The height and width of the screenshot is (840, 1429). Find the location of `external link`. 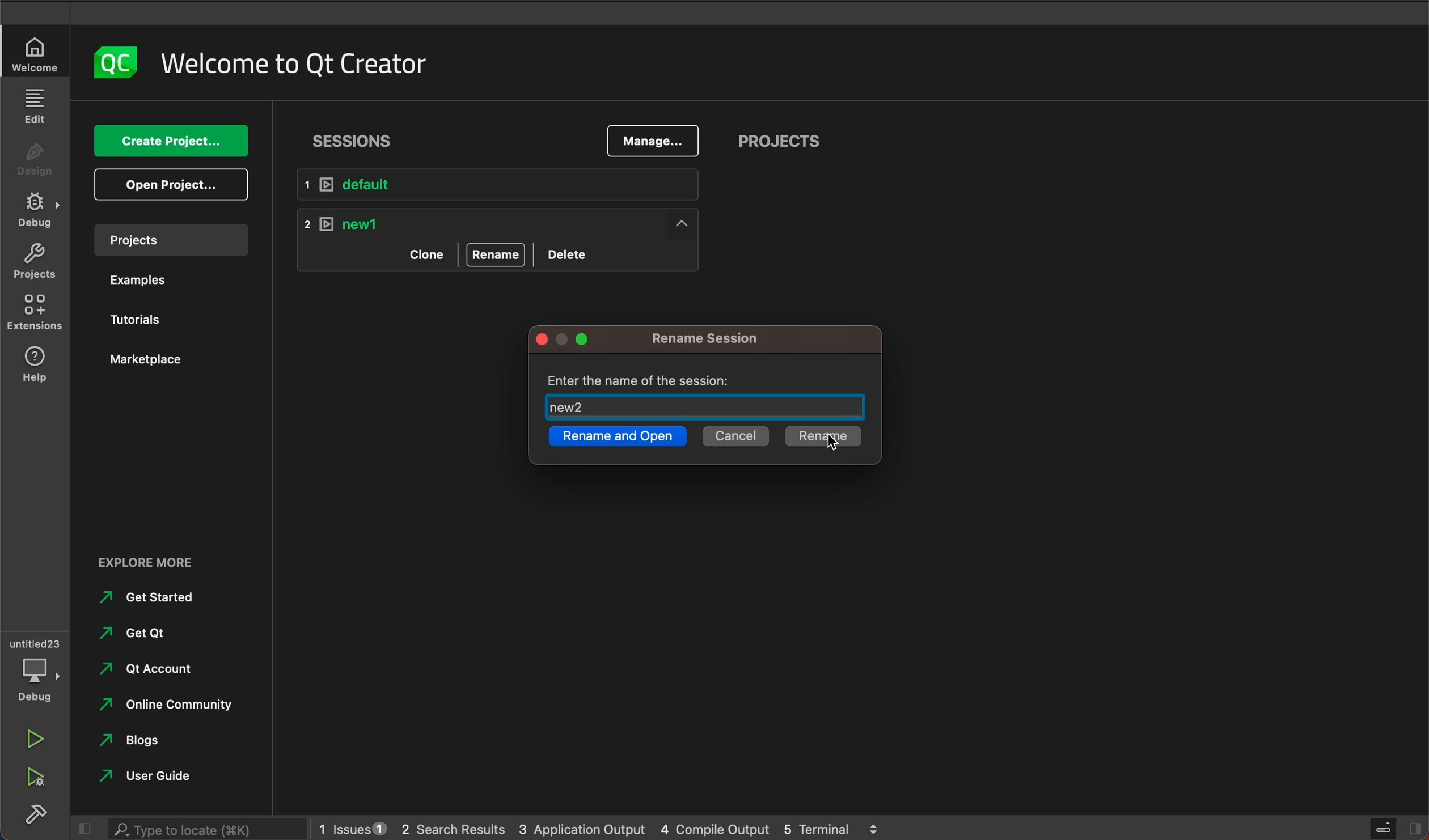

external link is located at coordinates (171, 563).